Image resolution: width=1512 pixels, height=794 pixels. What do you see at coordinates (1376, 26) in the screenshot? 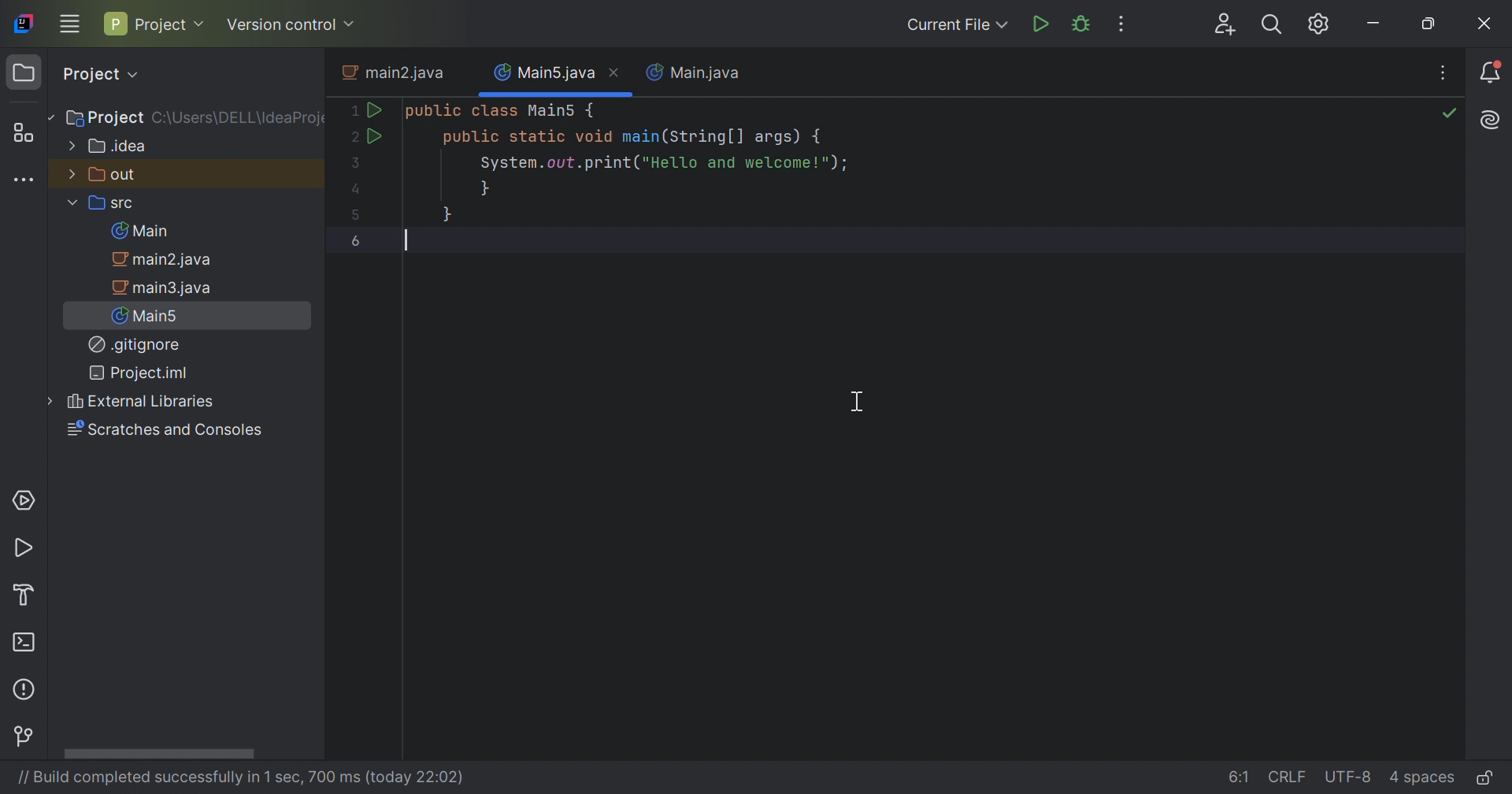
I see `Minimize` at bounding box center [1376, 26].